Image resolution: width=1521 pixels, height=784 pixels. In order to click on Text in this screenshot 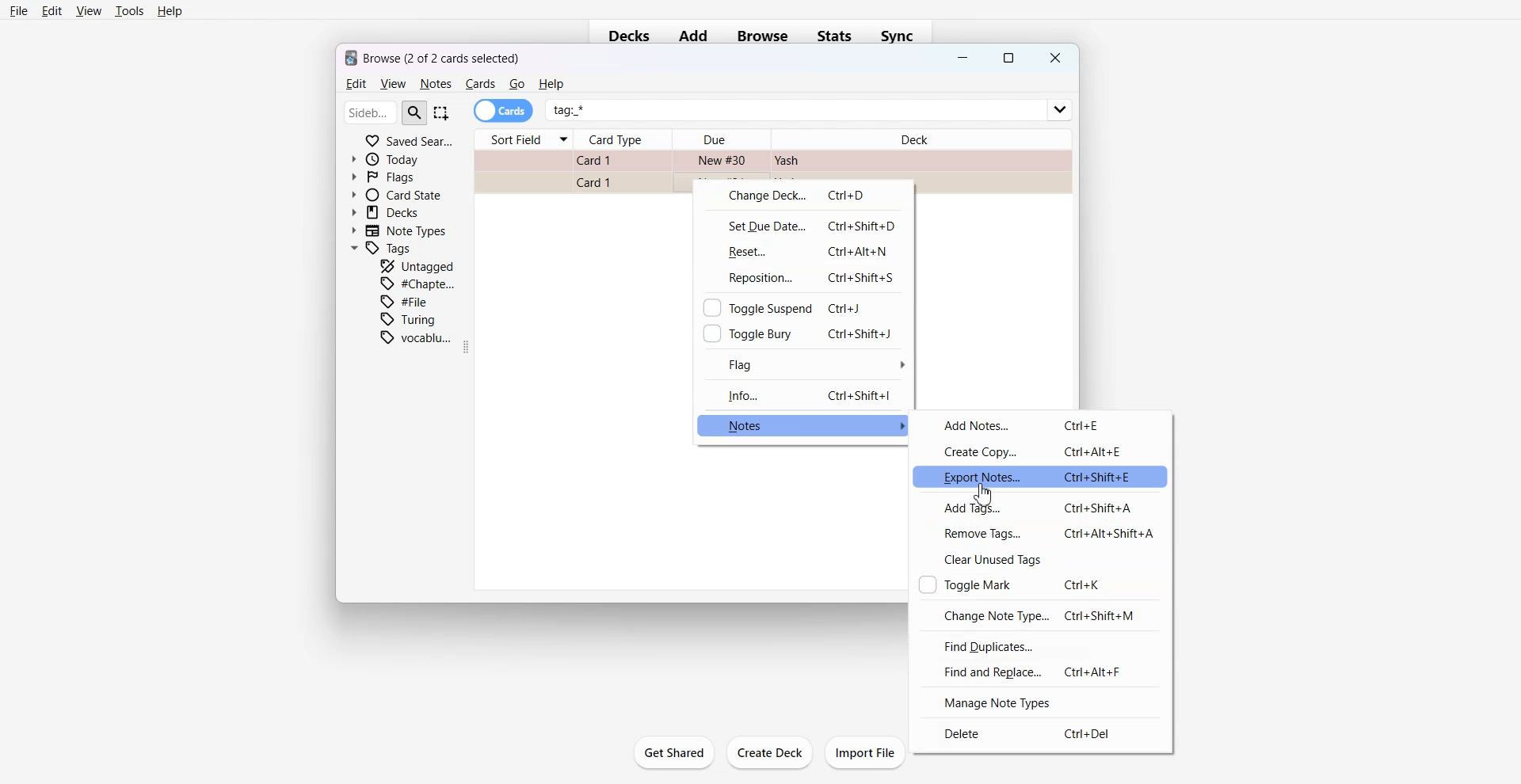, I will do `click(433, 56)`.